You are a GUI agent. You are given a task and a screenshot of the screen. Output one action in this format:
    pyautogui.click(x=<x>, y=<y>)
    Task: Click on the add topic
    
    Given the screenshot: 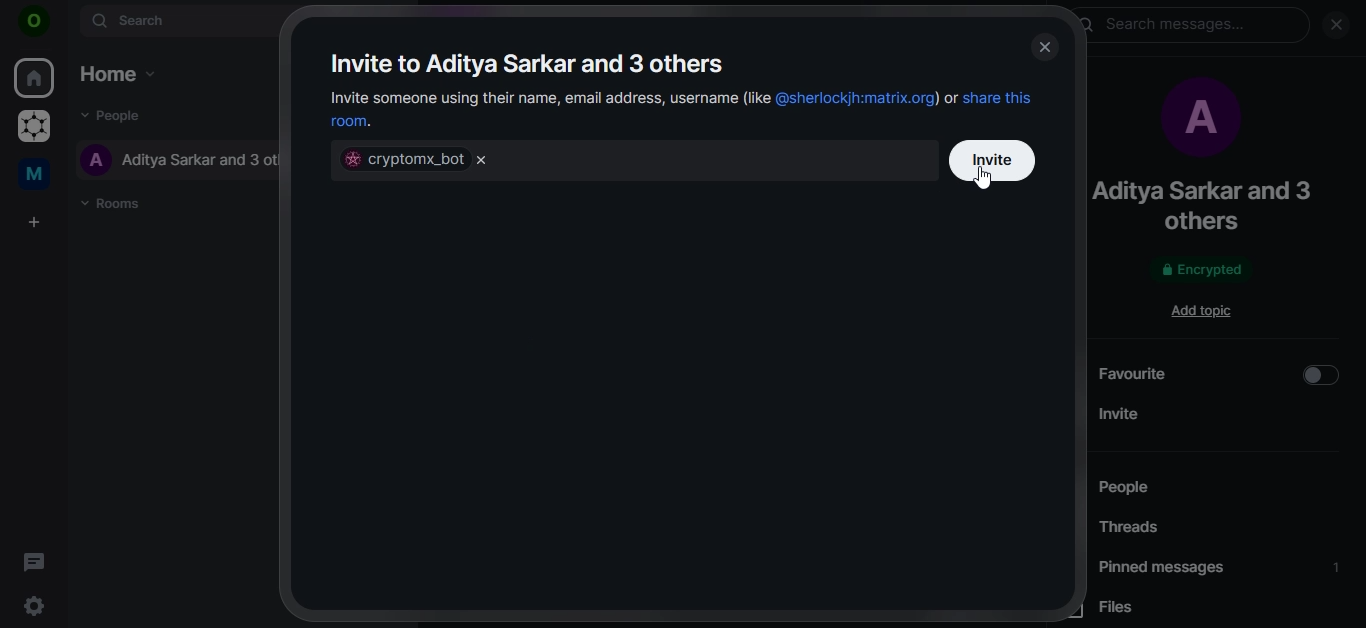 What is the action you would take?
    pyautogui.click(x=1208, y=310)
    